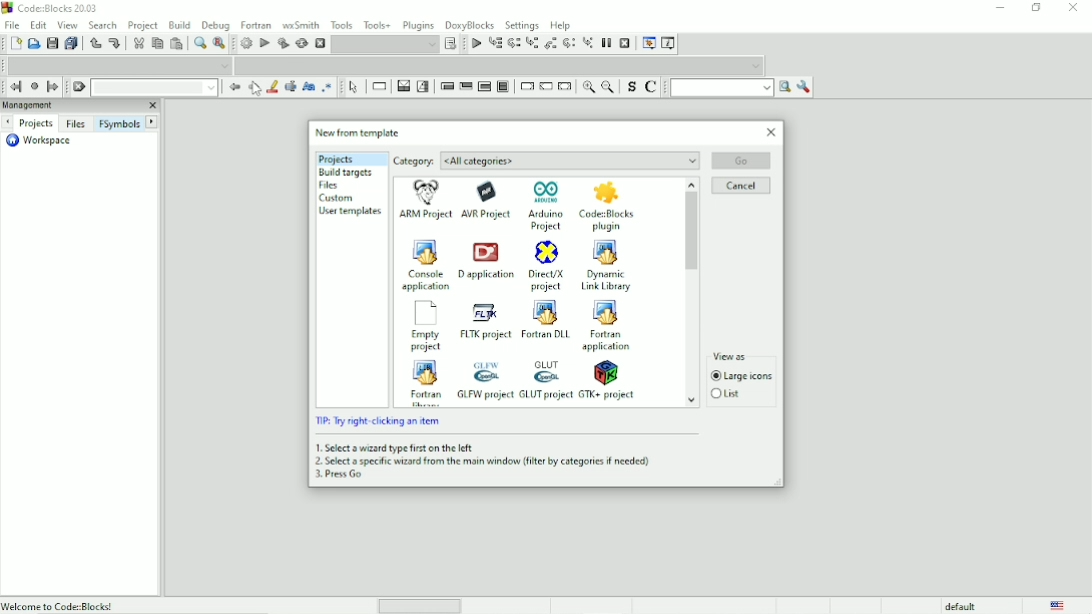  What do you see at coordinates (531, 44) in the screenshot?
I see `Step into` at bounding box center [531, 44].